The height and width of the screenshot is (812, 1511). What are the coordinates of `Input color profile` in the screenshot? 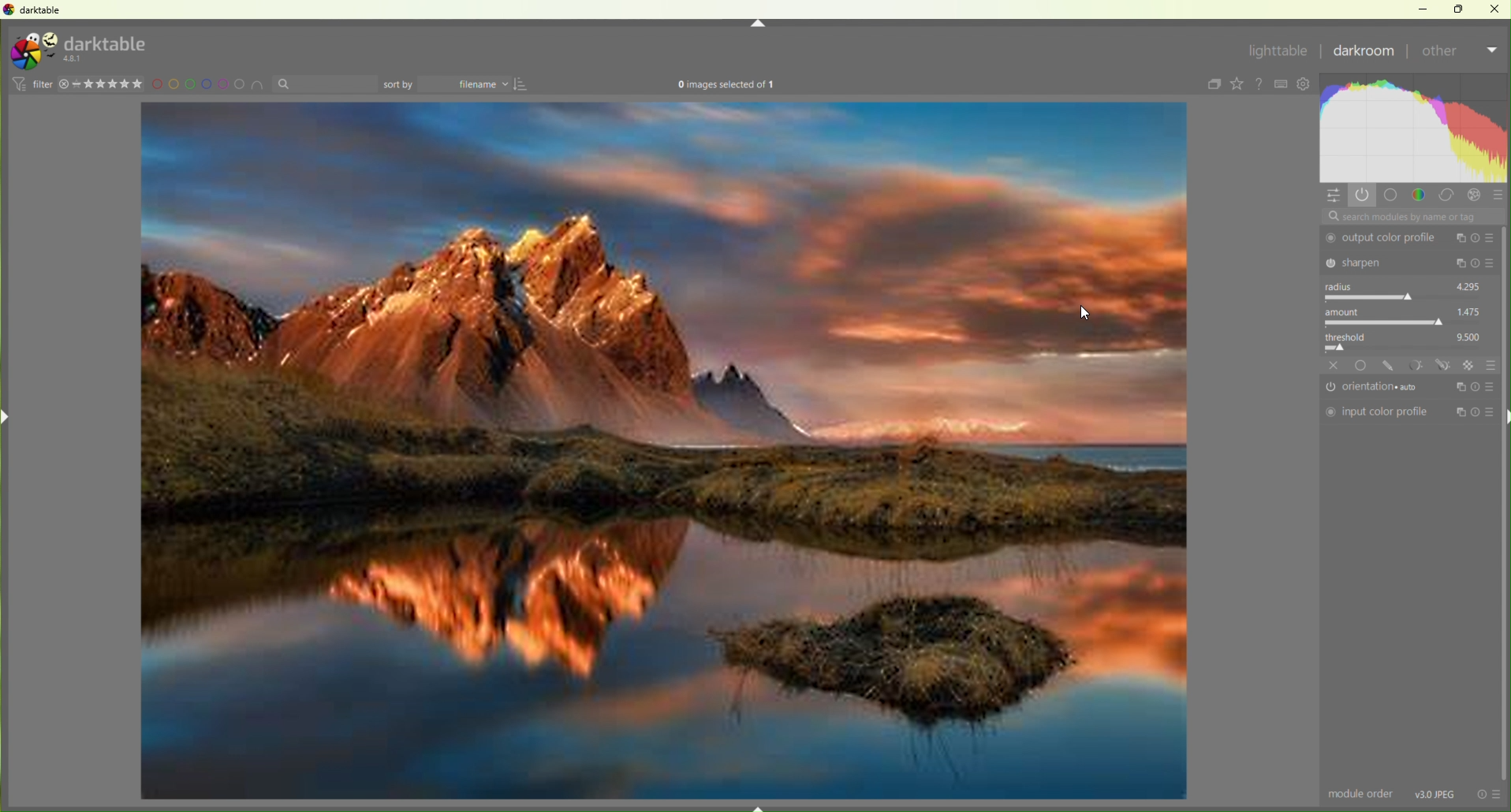 It's located at (1377, 412).